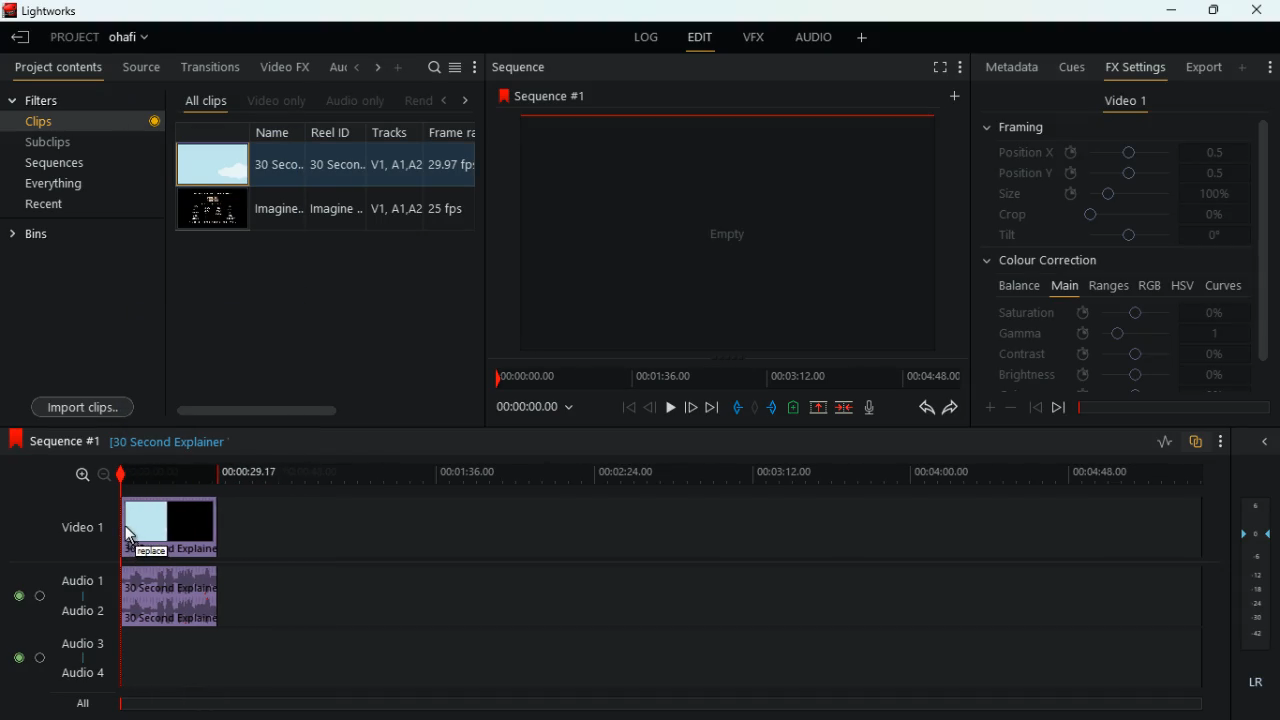  I want to click on Cursor, so click(130, 534).